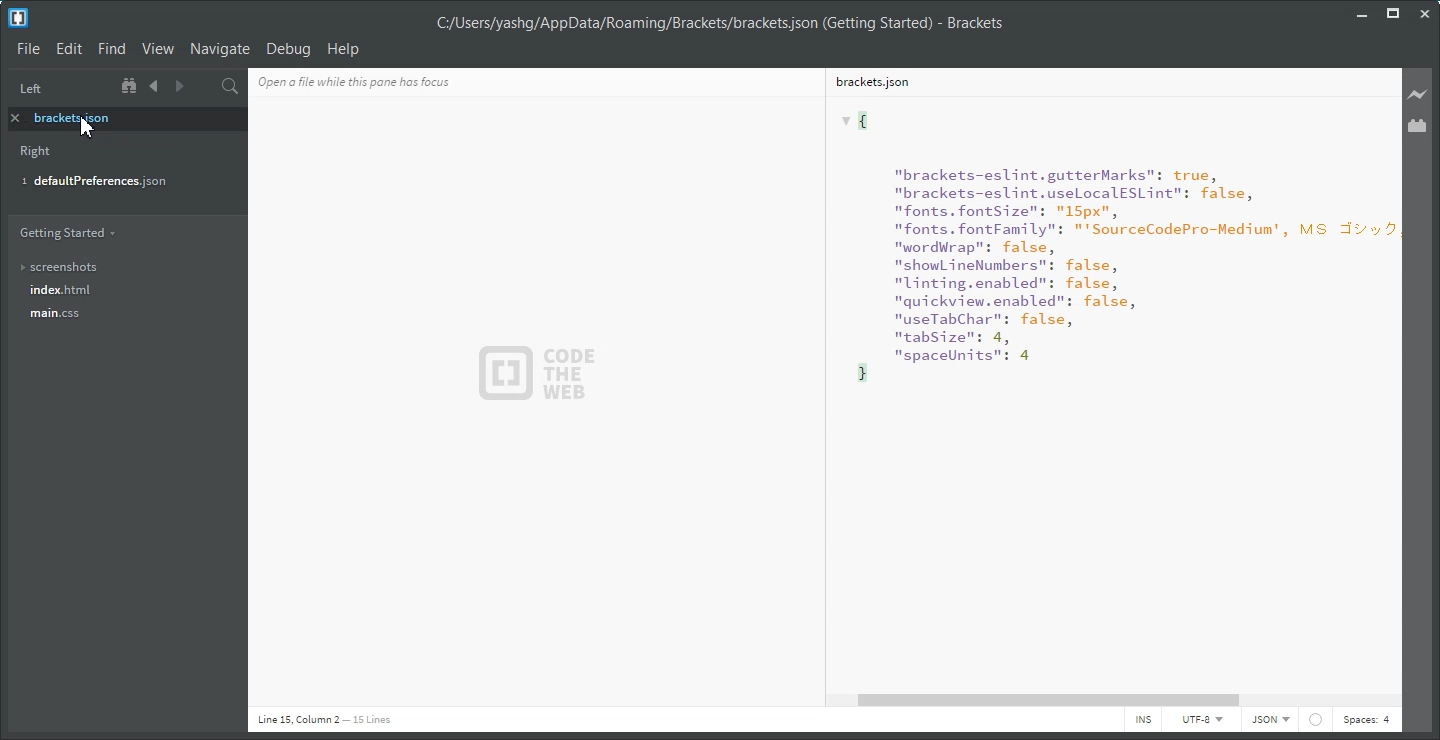 This screenshot has height=740, width=1440. Describe the element at coordinates (121, 319) in the screenshot. I see `main.css` at that location.